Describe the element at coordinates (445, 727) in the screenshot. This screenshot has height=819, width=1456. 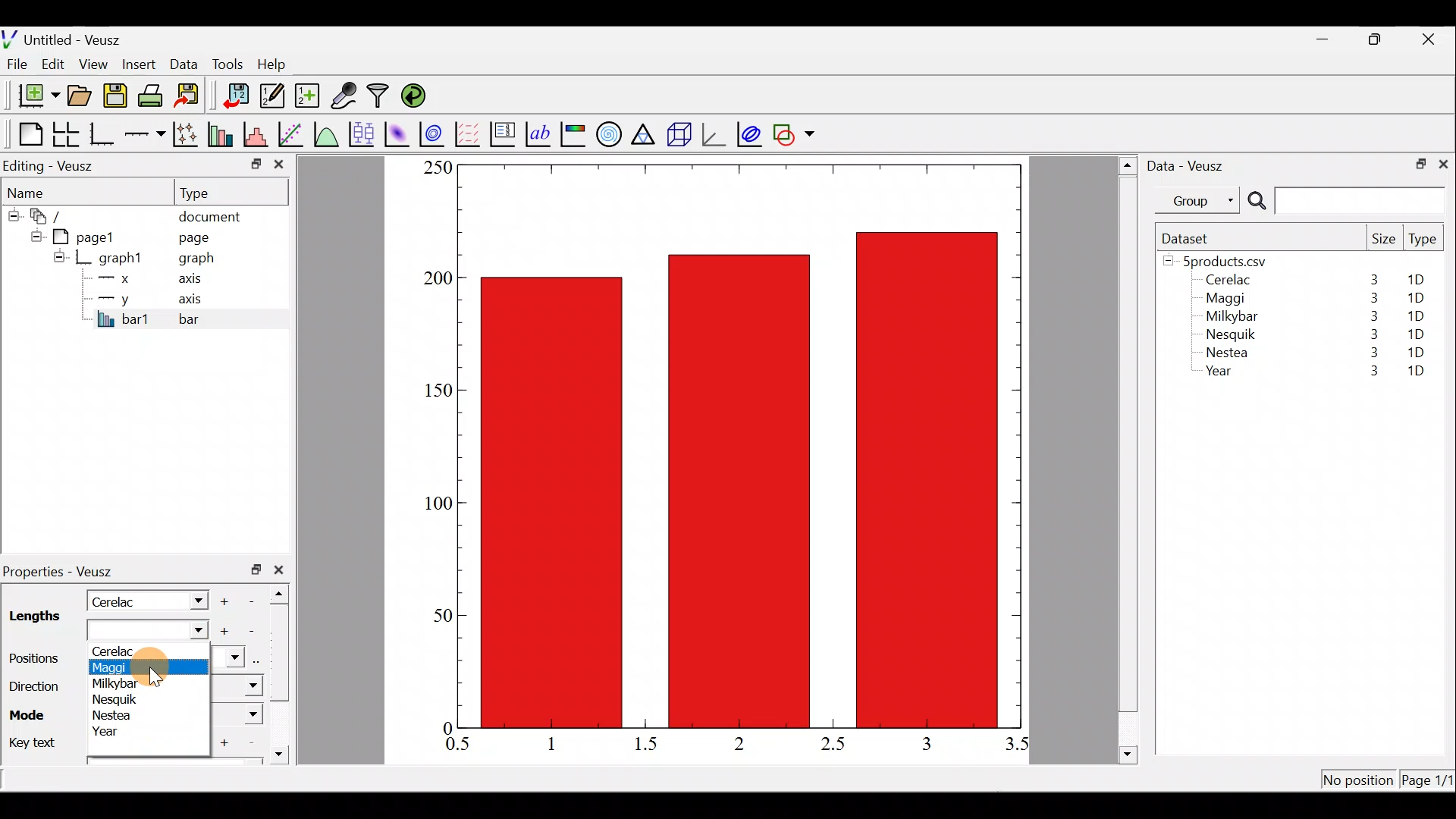
I see `0` at that location.